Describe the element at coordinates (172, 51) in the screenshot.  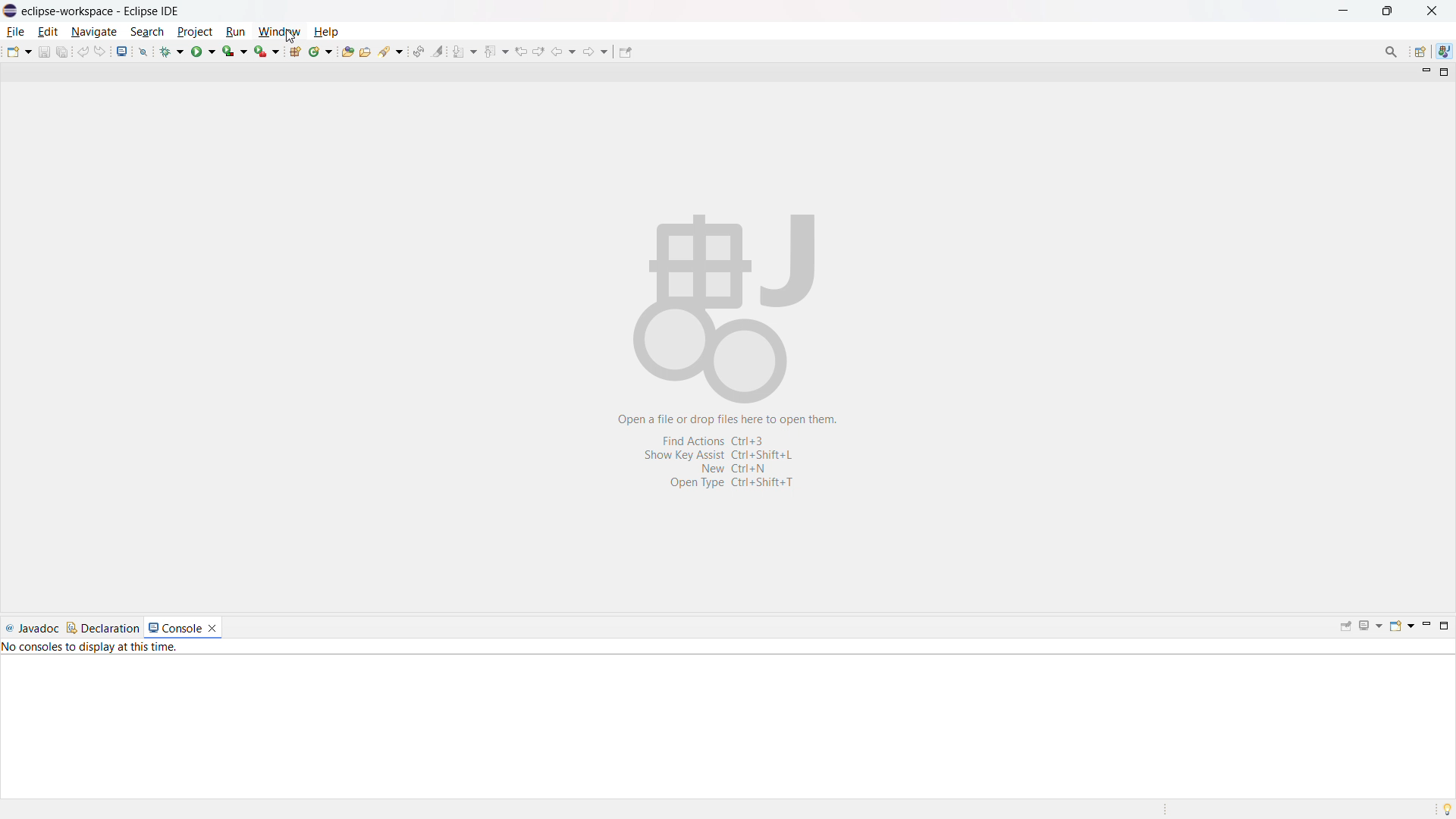
I see `debug` at that location.